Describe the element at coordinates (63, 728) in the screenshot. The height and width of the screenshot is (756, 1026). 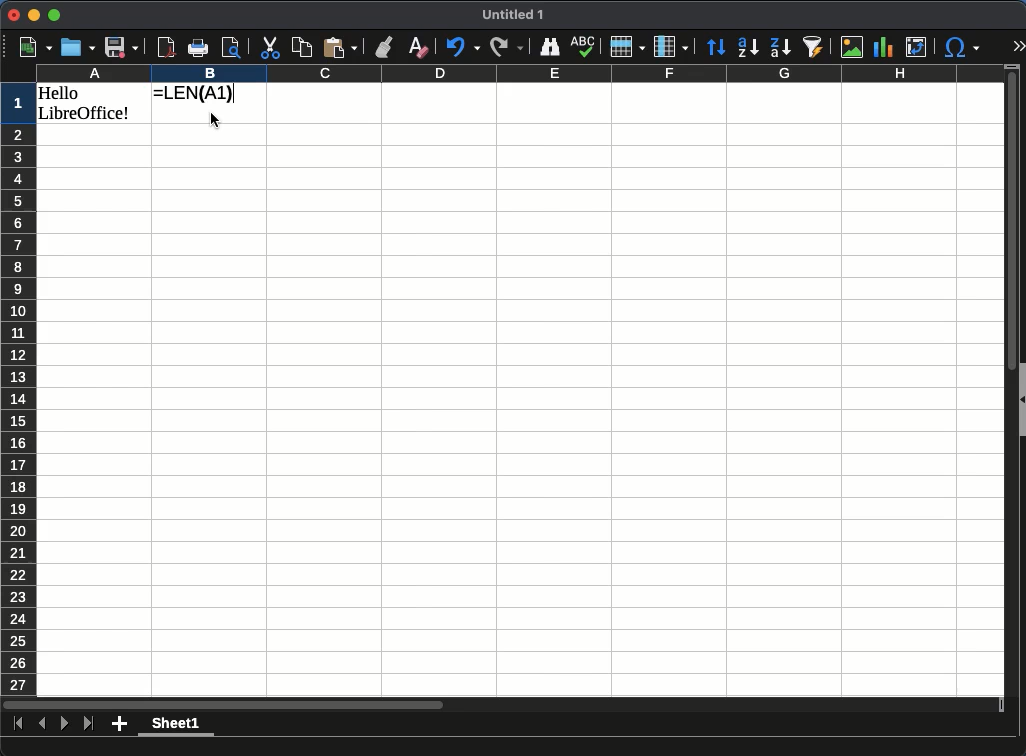
I see `next sheet` at that location.